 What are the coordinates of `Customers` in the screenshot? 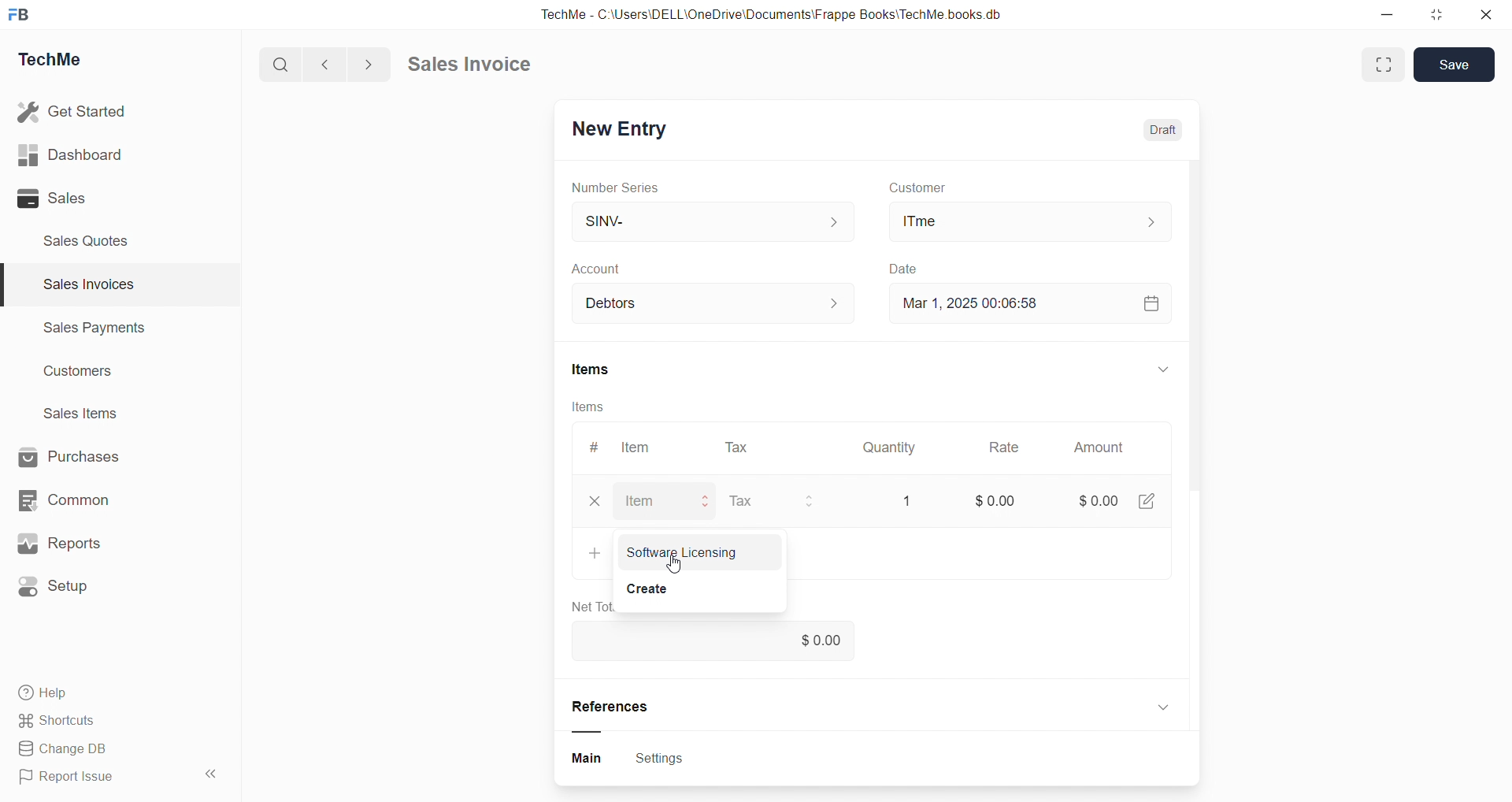 It's located at (87, 375).